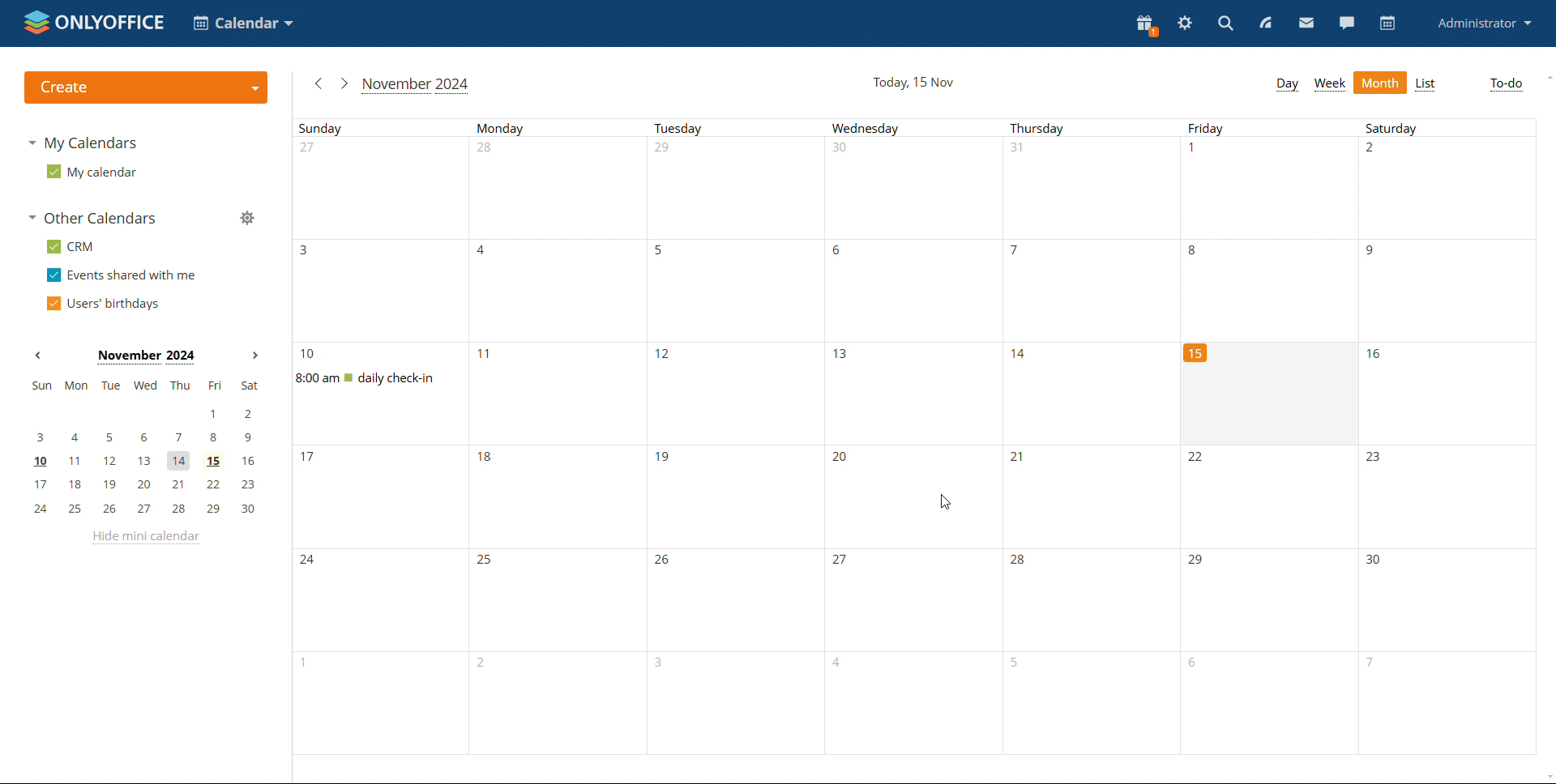 The width and height of the screenshot is (1556, 784). Describe the element at coordinates (1306, 23) in the screenshot. I see `mail` at that location.